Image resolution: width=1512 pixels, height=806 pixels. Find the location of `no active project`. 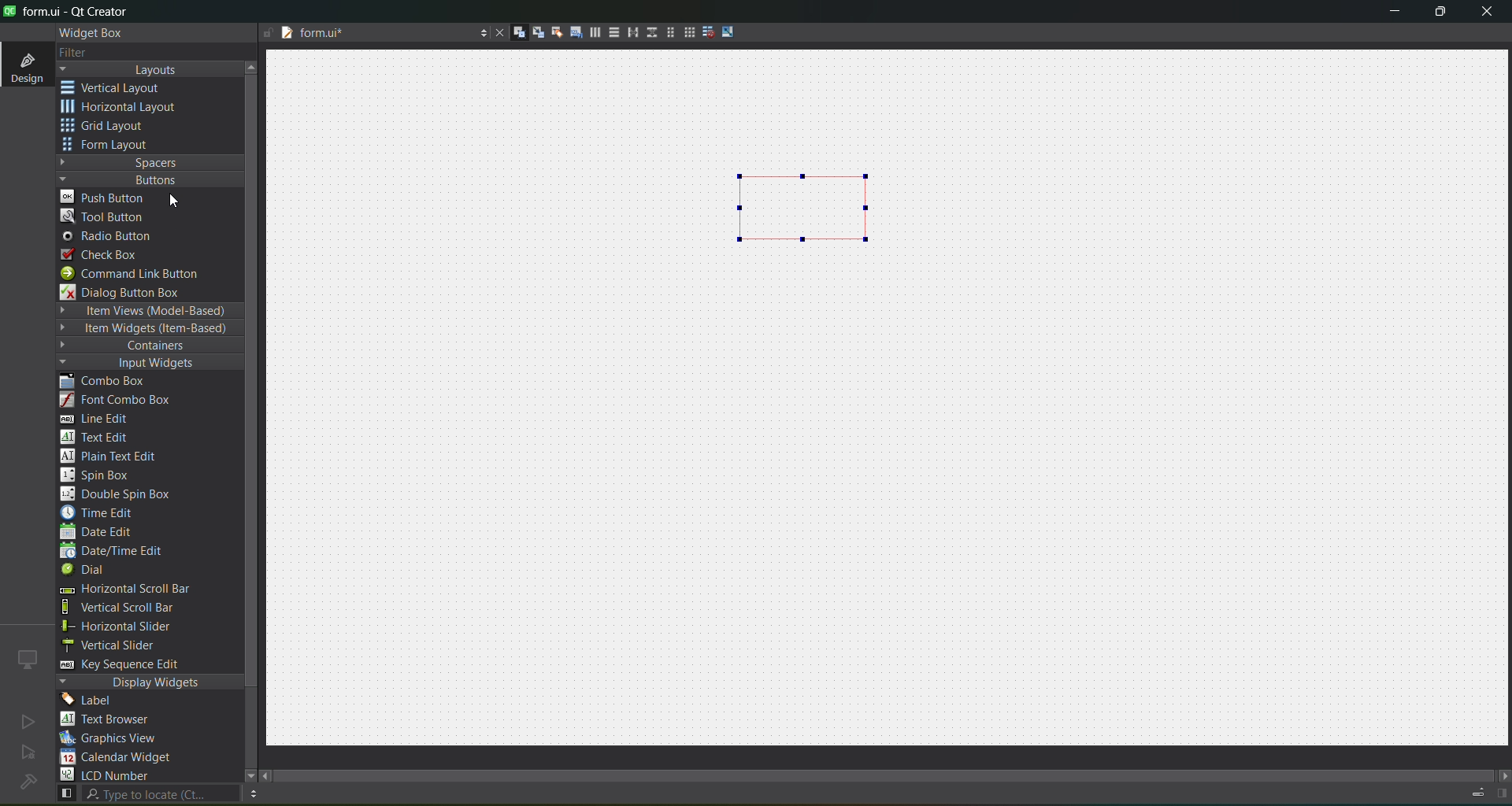

no active project is located at coordinates (28, 753).